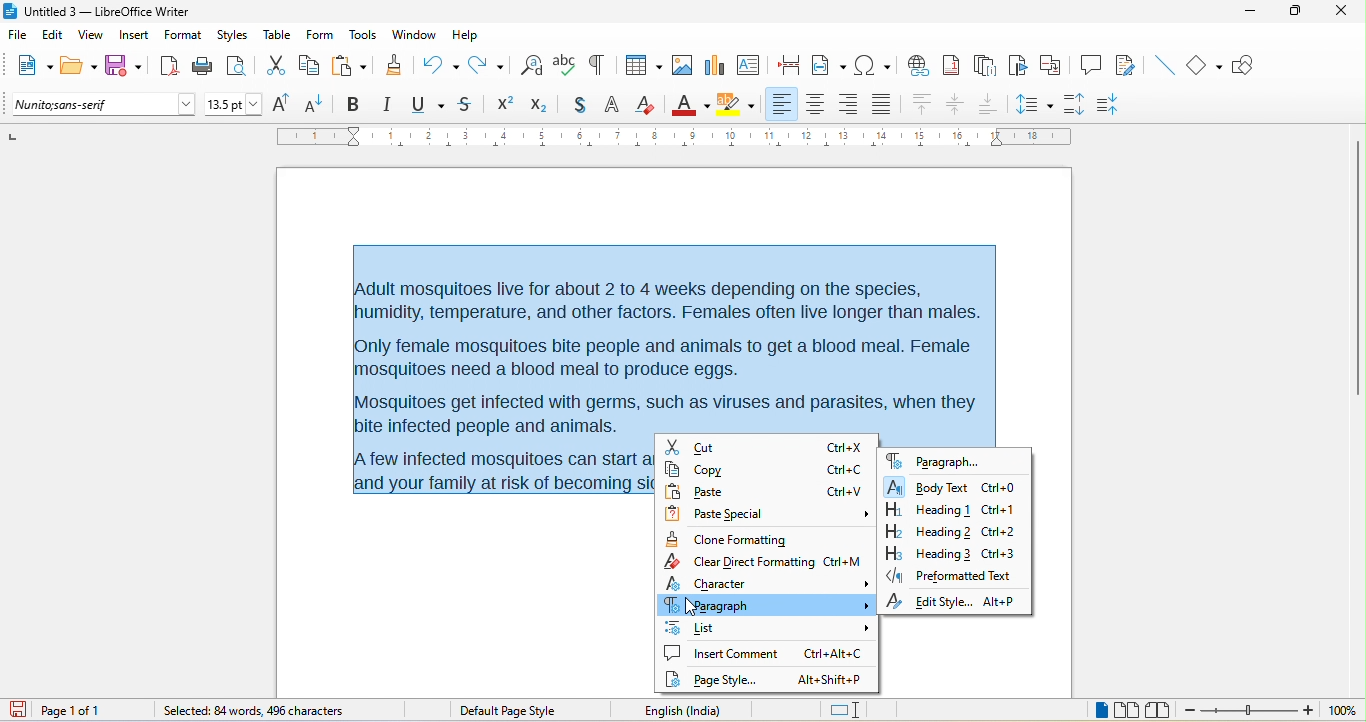 The height and width of the screenshot is (722, 1366). I want to click on undo, so click(440, 62).